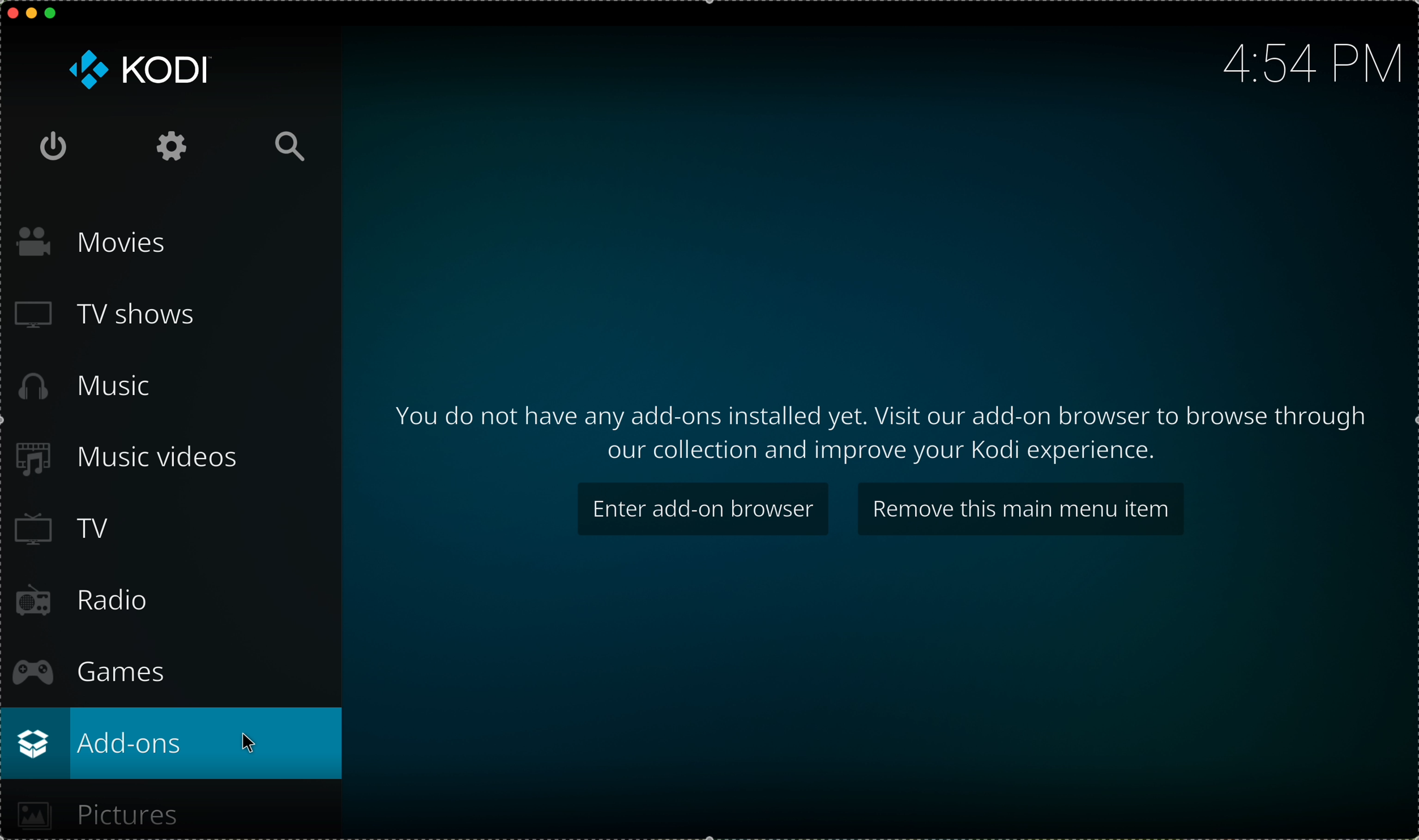 The height and width of the screenshot is (840, 1419). What do you see at coordinates (702, 510) in the screenshot?
I see `enter add-on browser` at bounding box center [702, 510].